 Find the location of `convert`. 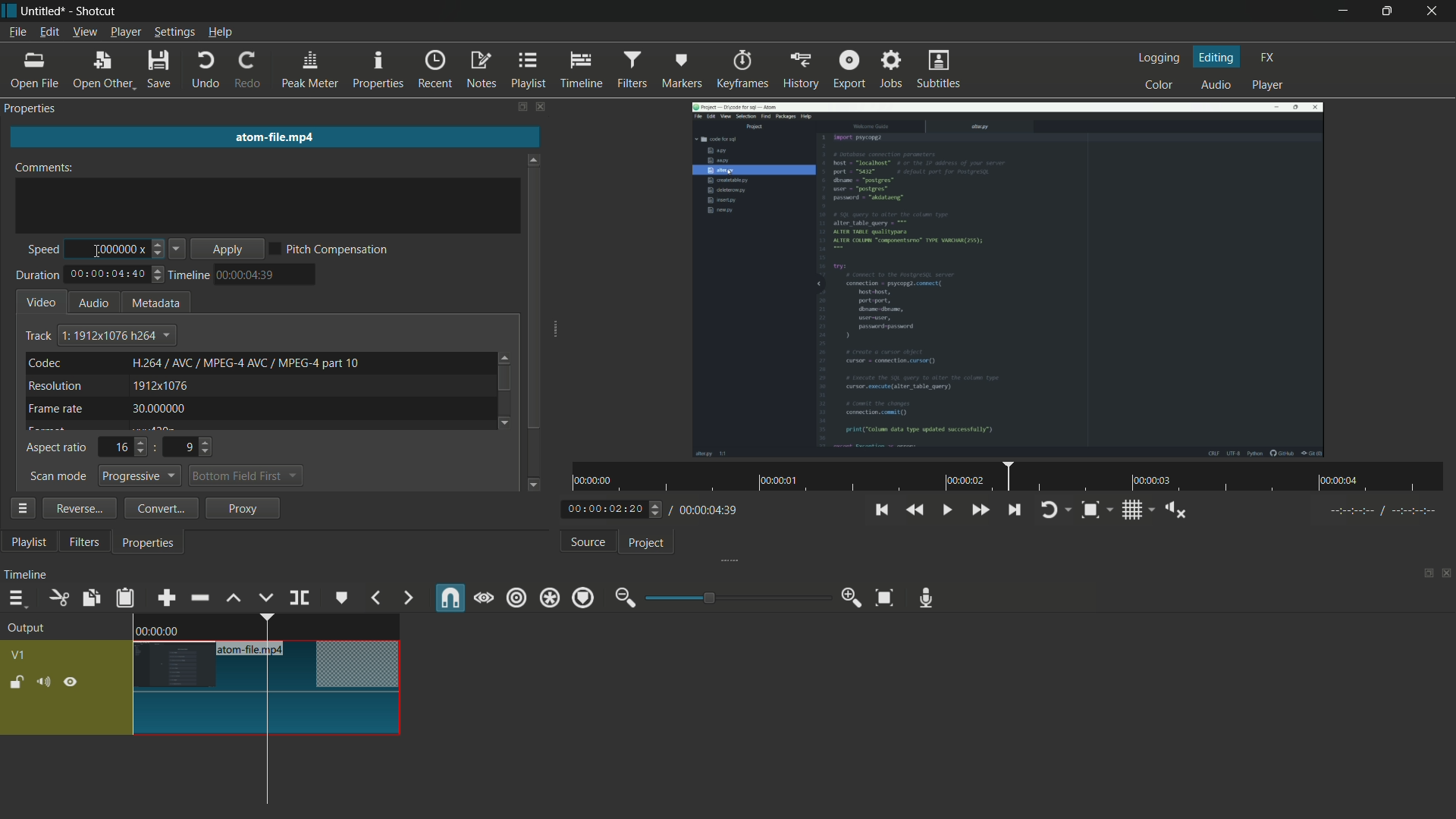

convert is located at coordinates (162, 507).